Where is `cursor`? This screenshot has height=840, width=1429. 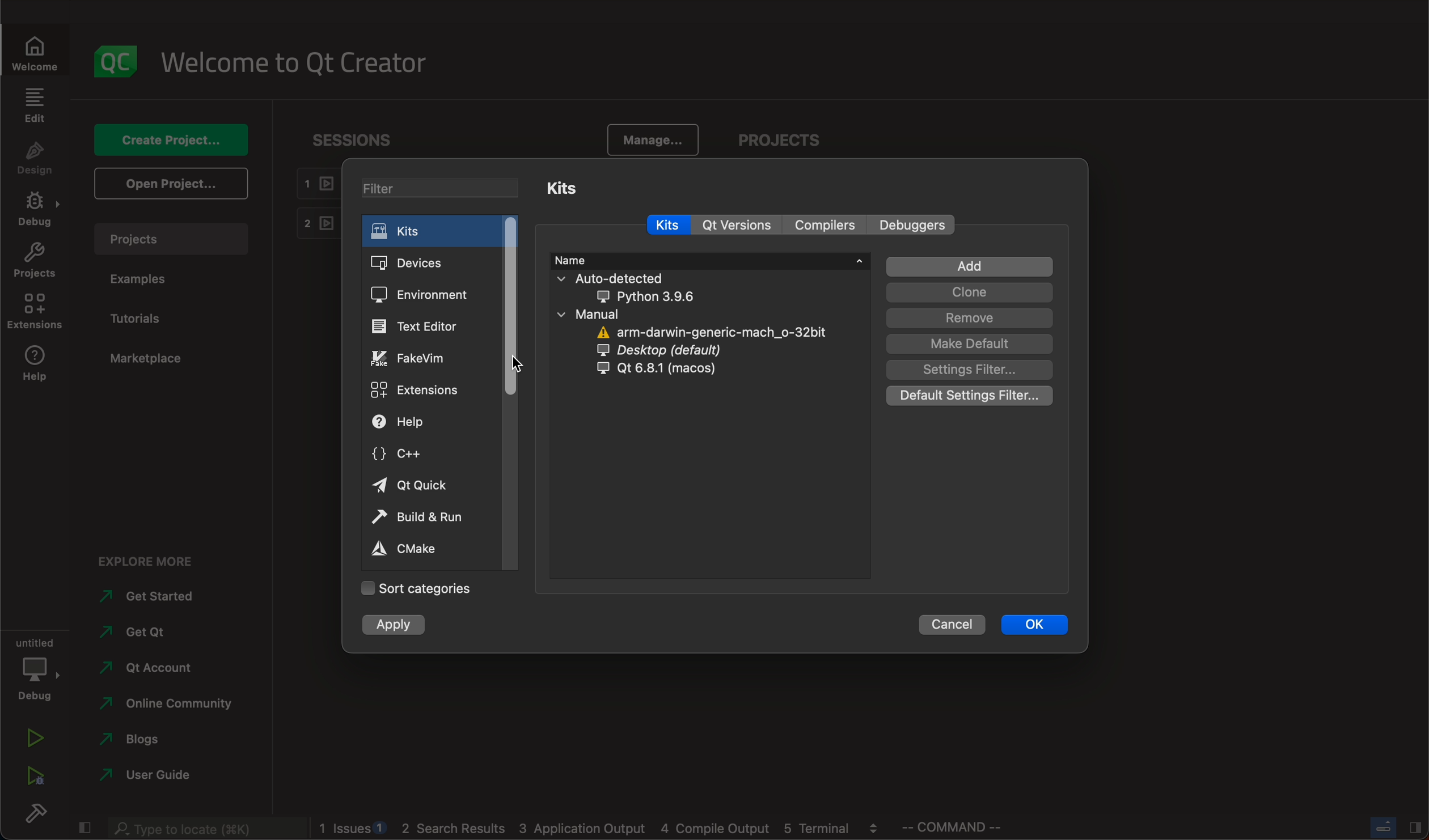
cursor is located at coordinates (517, 362).